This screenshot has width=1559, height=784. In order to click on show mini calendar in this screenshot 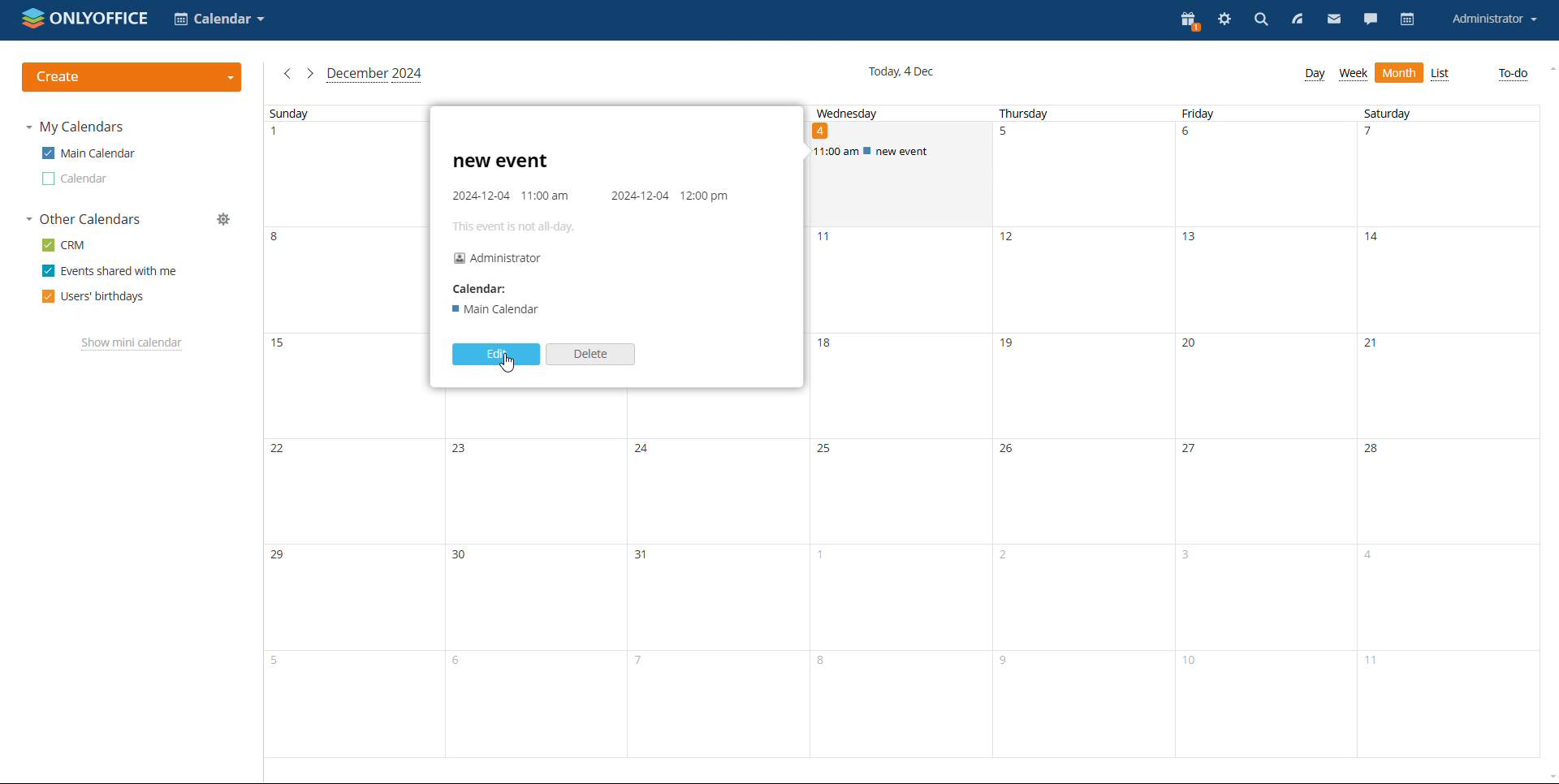, I will do `click(132, 344)`.